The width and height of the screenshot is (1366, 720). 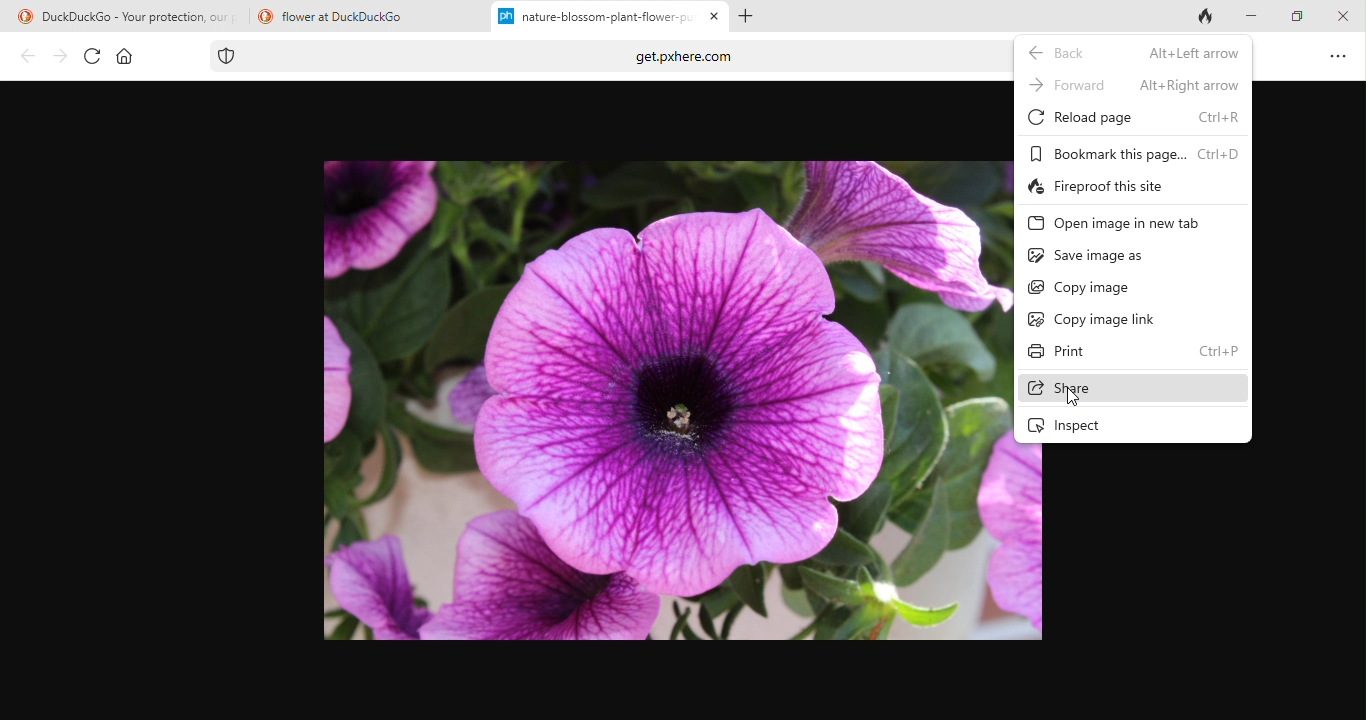 I want to click on option, so click(x=1339, y=58).